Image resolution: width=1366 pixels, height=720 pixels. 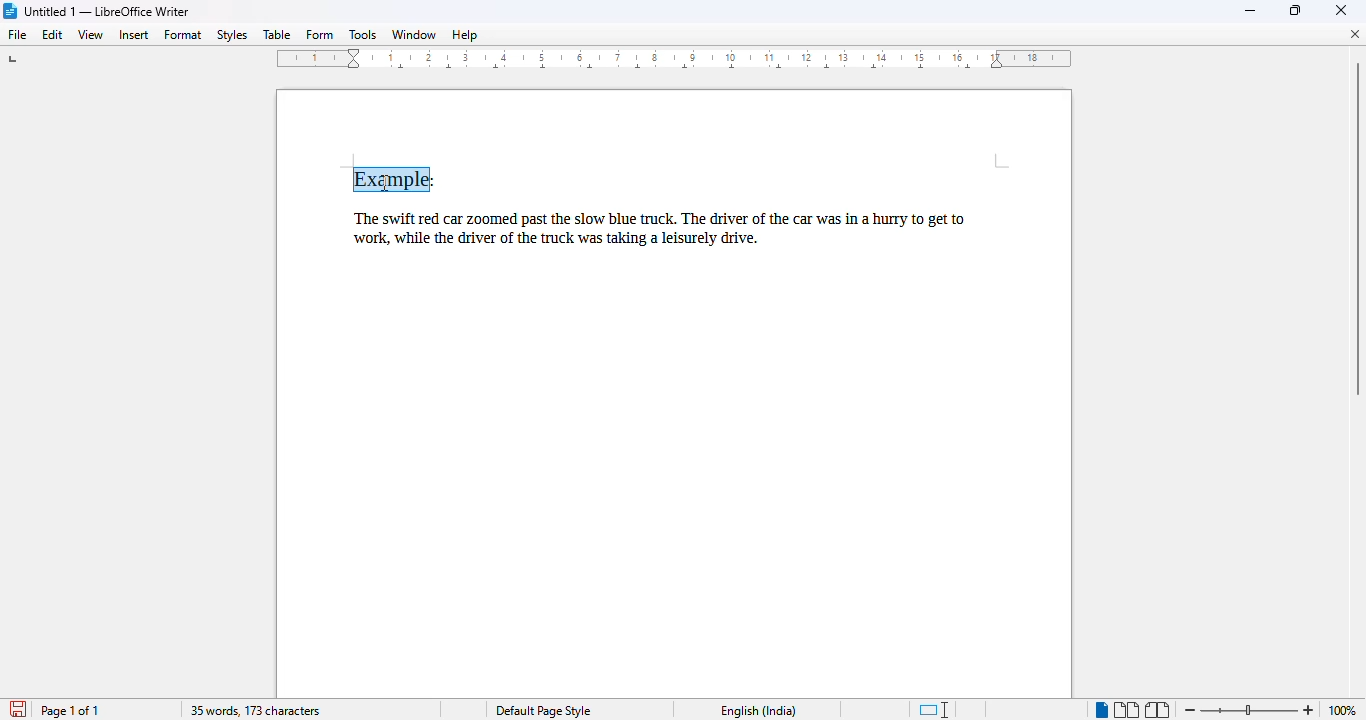 I want to click on file, so click(x=18, y=35).